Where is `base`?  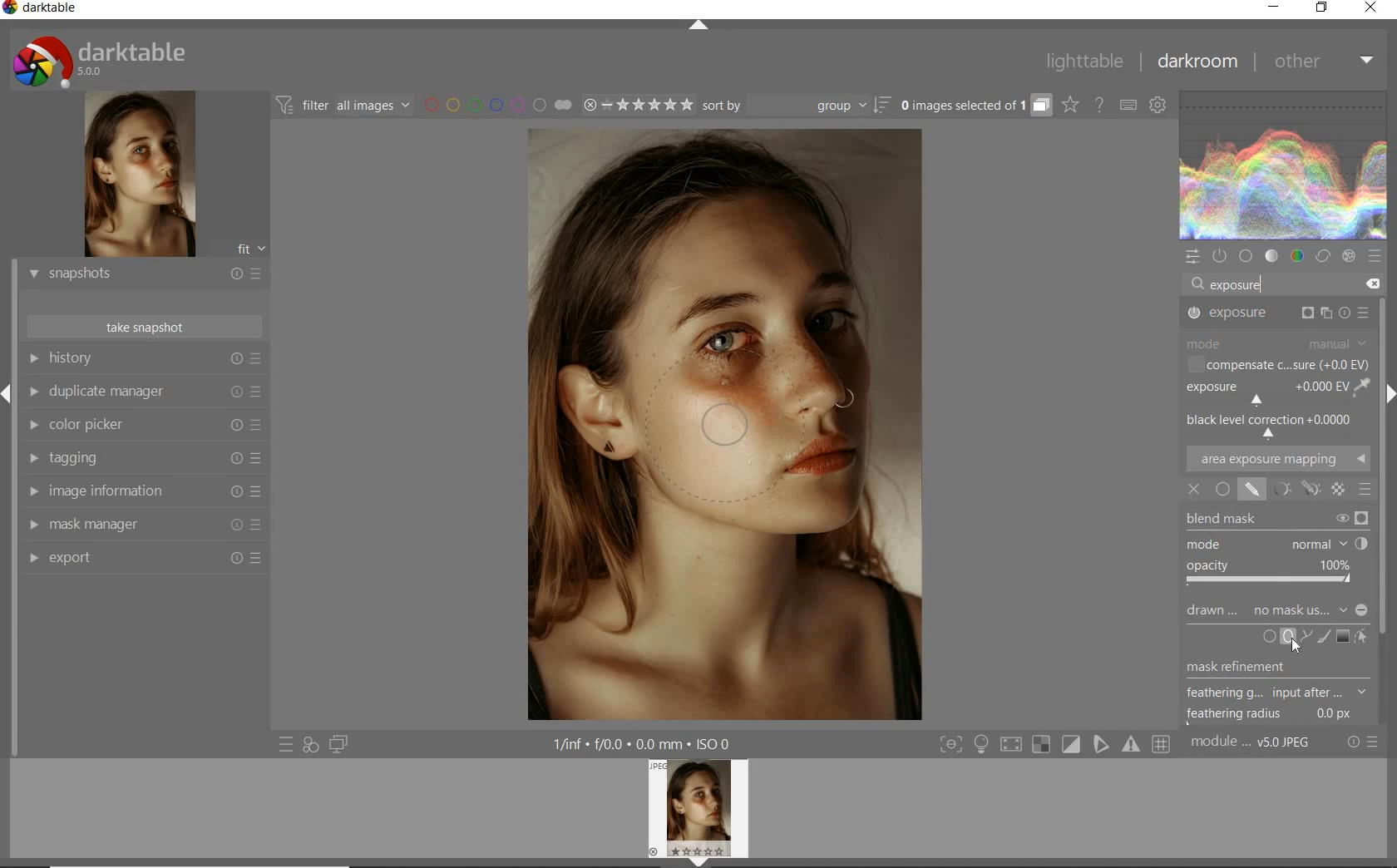 base is located at coordinates (1246, 256).